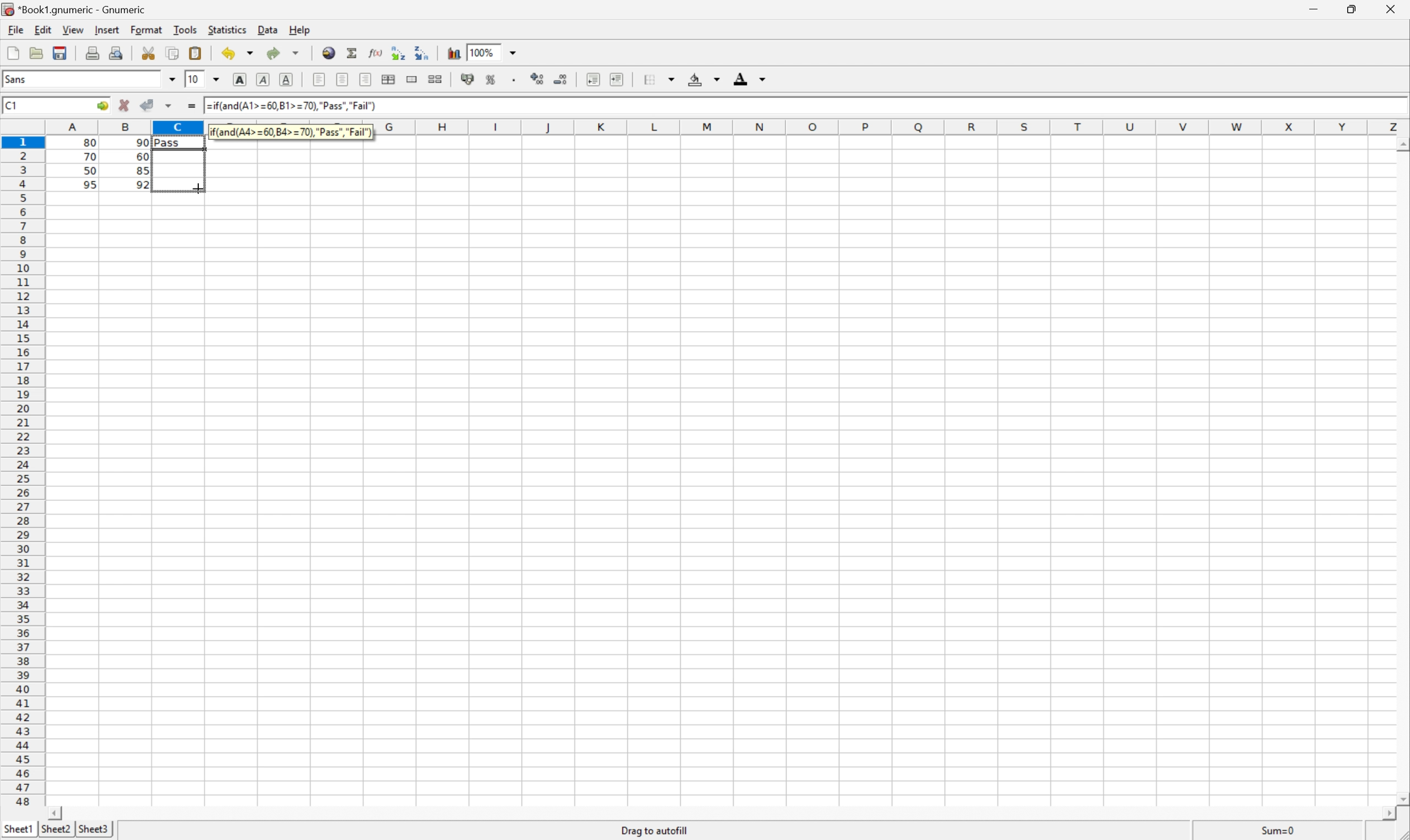 The image size is (1410, 840). Describe the element at coordinates (142, 156) in the screenshot. I see `60` at that location.